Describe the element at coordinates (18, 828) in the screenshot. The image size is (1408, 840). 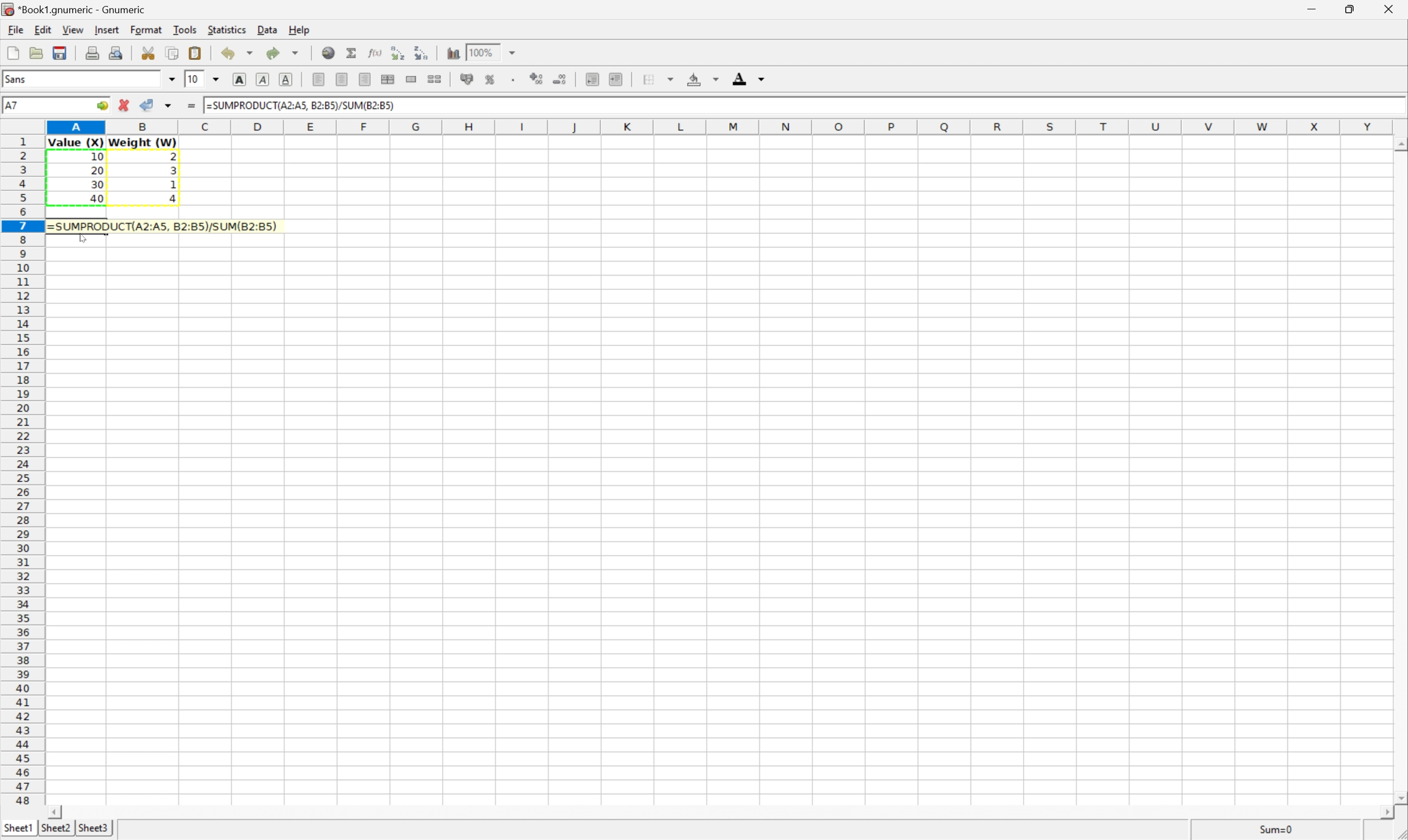
I see `Sheet1` at that location.